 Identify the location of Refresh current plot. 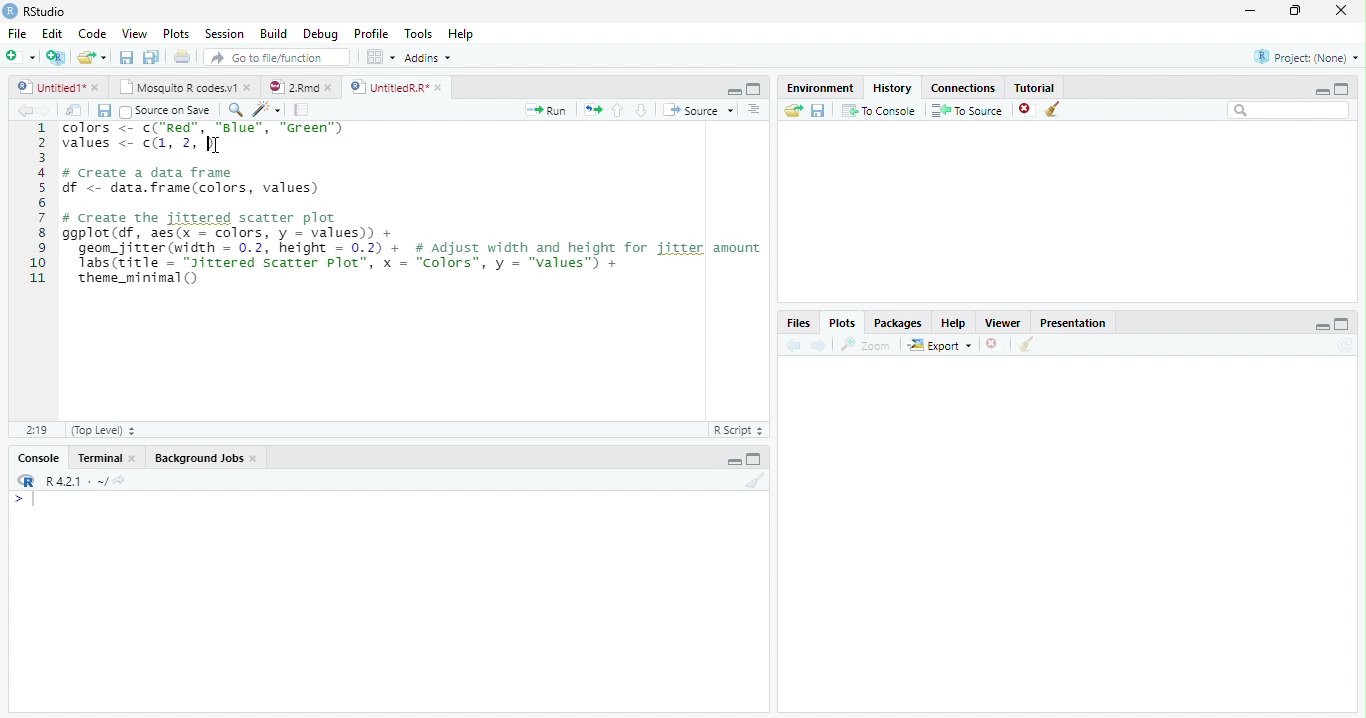
(1345, 345).